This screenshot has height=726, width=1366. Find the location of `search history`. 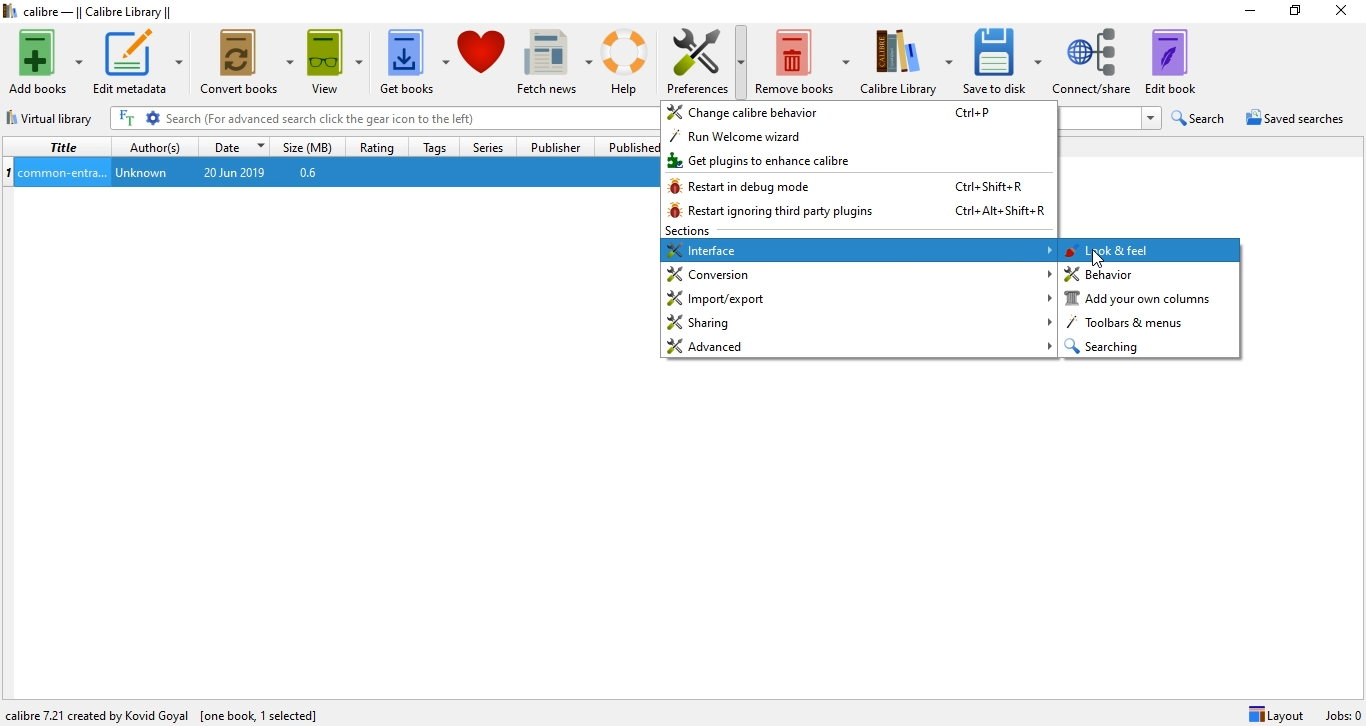

search history is located at coordinates (1151, 119).